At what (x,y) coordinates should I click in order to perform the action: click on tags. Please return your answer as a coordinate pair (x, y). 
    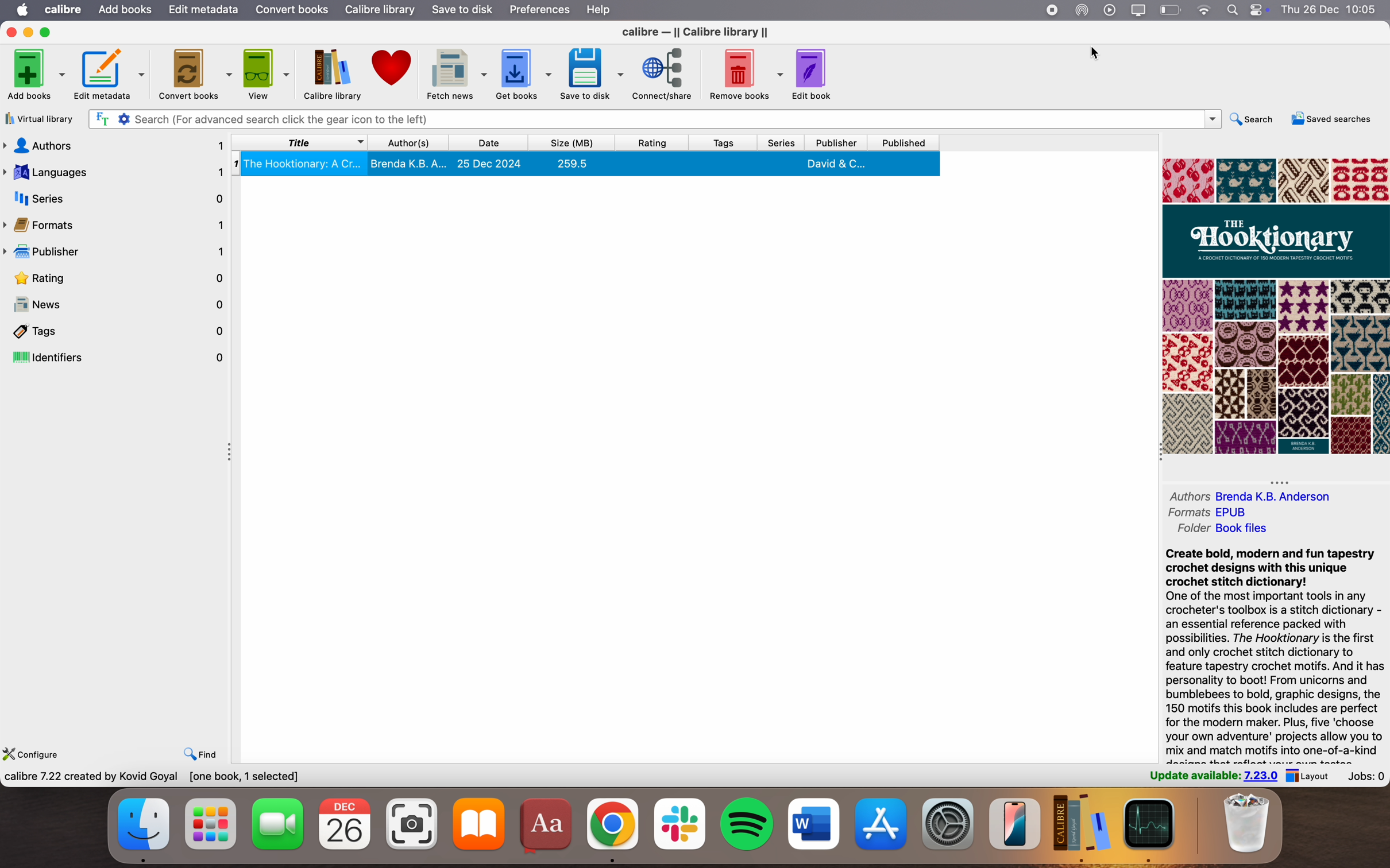
    Looking at the image, I should click on (118, 331).